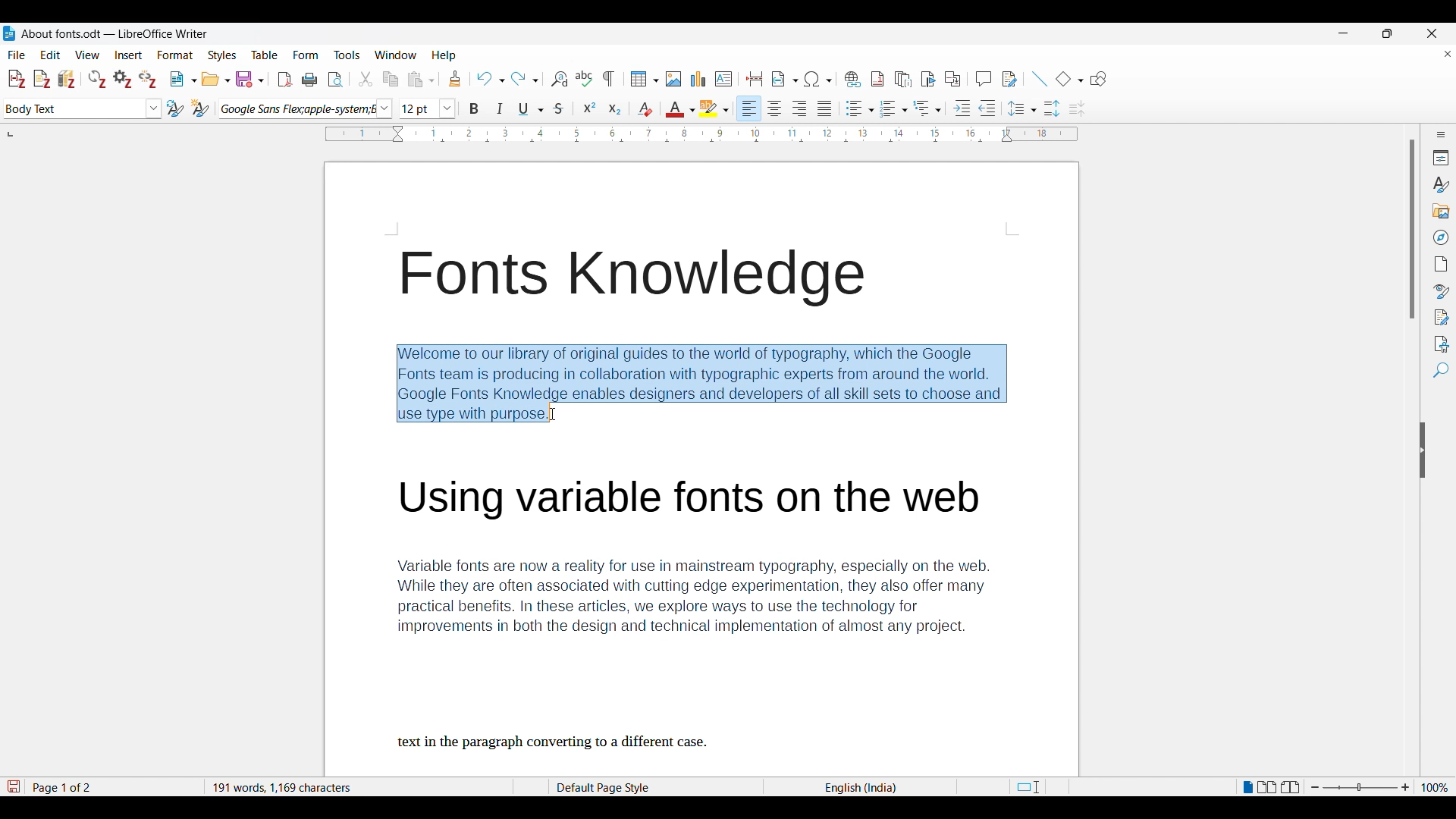 This screenshot has height=819, width=1456. I want to click on Show track changes functions, so click(1009, 79).